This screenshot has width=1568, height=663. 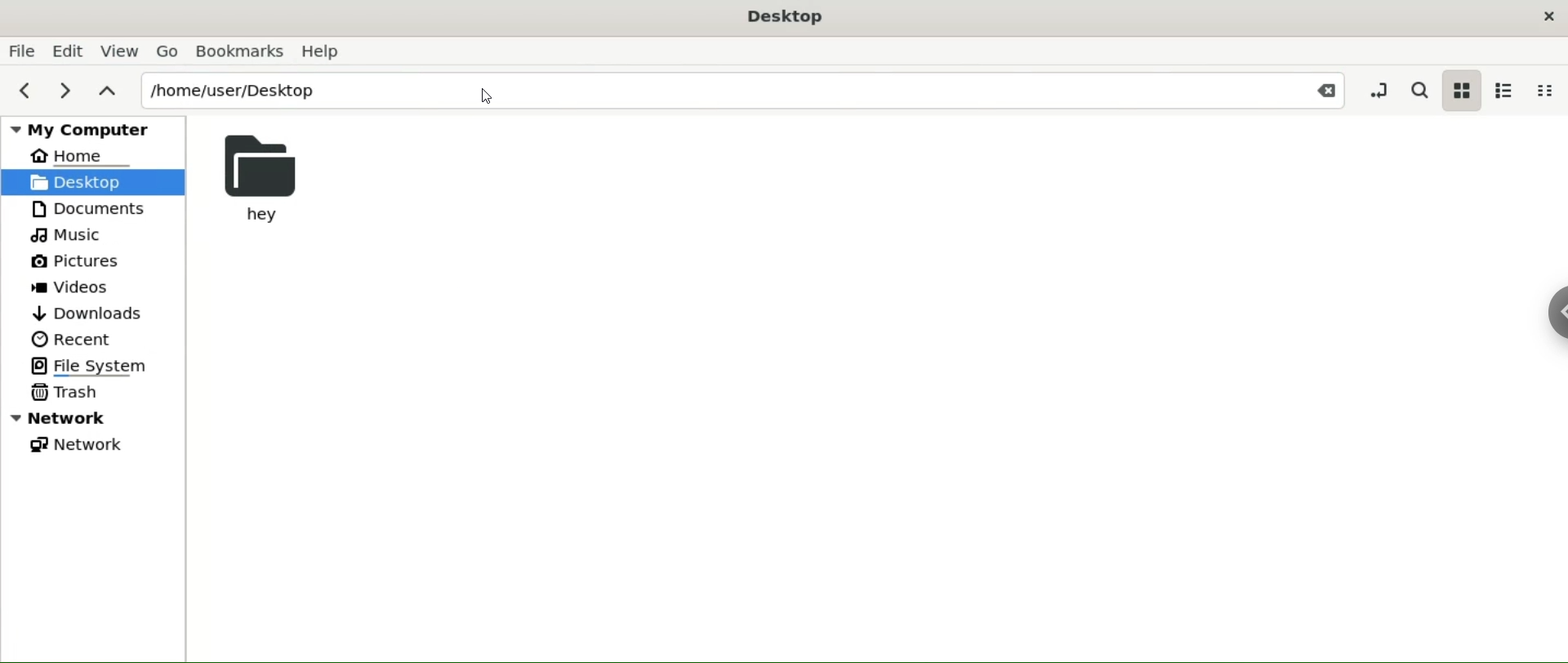 What do you see at coordinates (1375, 89) in the screenshot?
I see `toggle location entry` at bounding box center [1375, 89].